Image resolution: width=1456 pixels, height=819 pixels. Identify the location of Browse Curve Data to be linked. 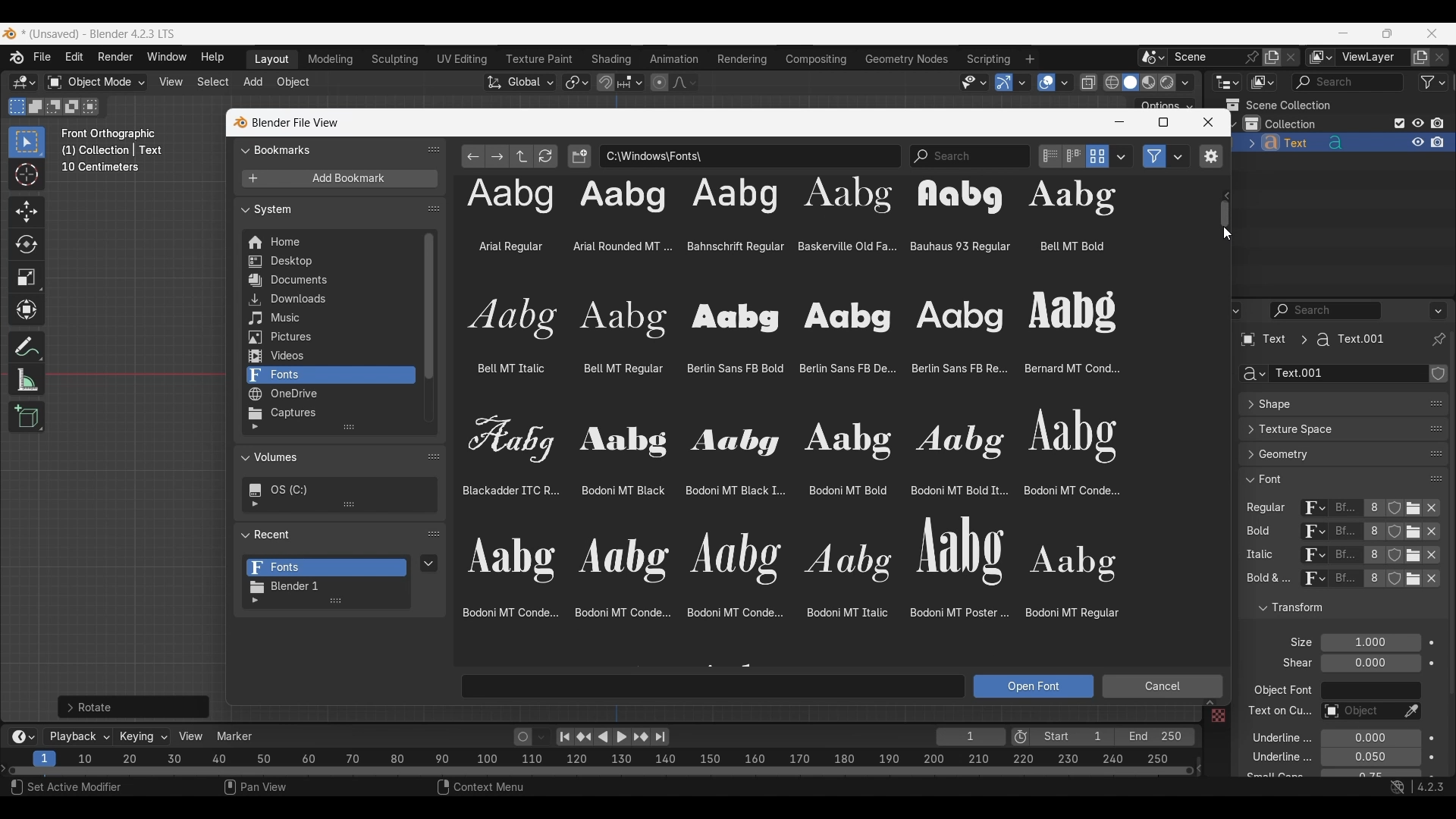
(1251, 374).